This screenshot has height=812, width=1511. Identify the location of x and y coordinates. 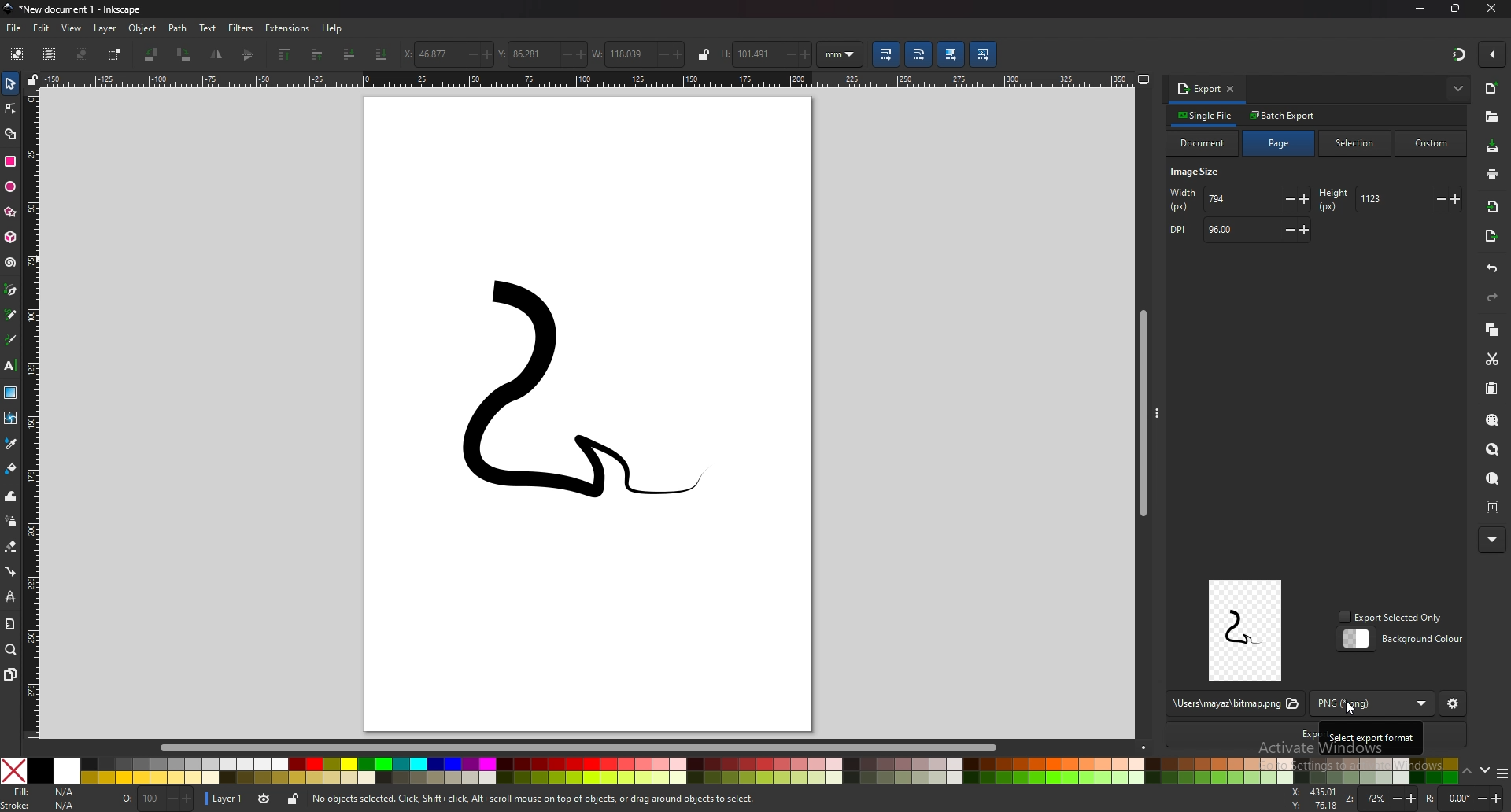
(1315, 799).